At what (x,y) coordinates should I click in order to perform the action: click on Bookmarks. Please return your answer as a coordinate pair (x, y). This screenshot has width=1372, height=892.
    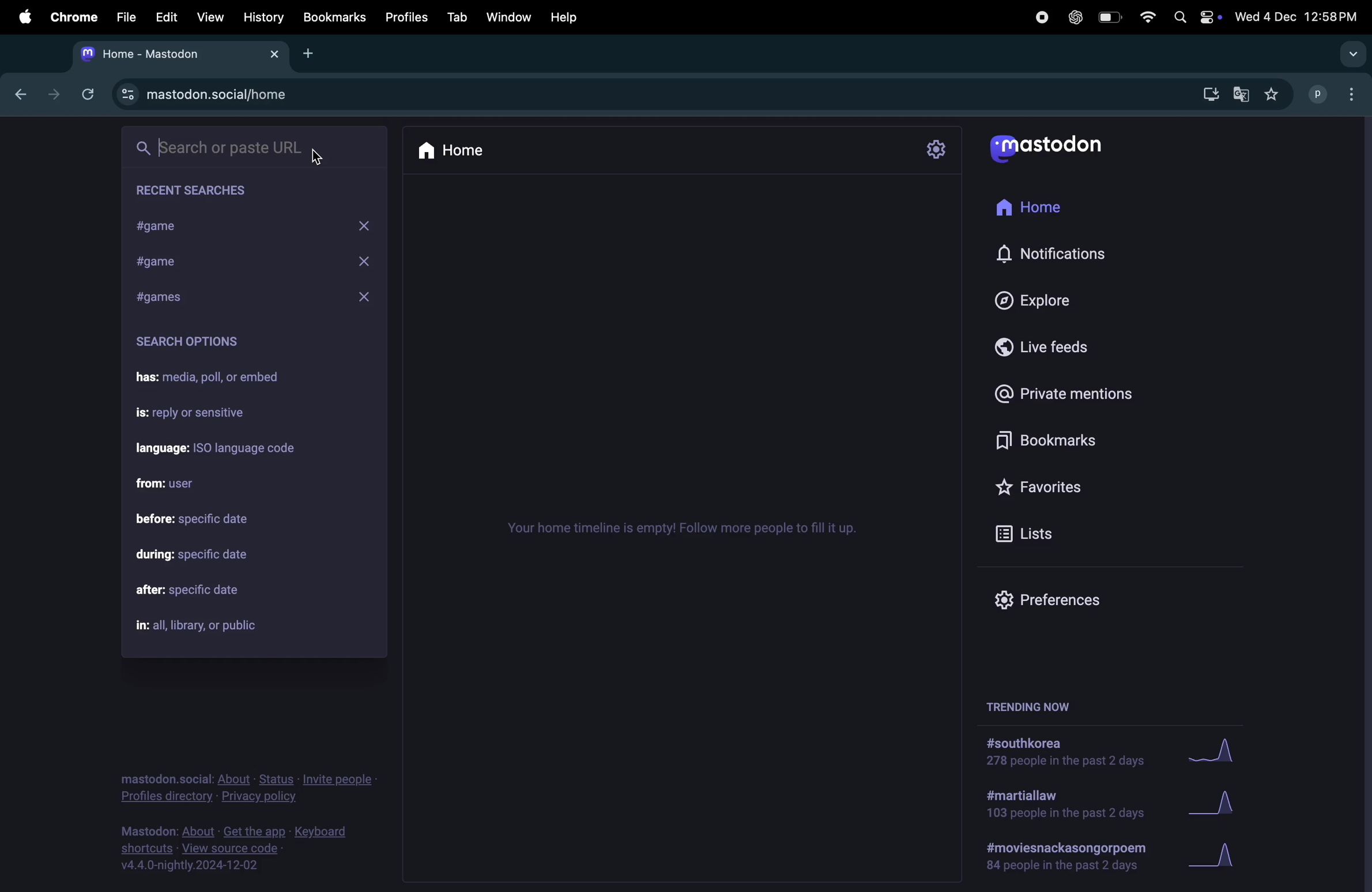
    Looking at the image, I should click on (1083, 442).